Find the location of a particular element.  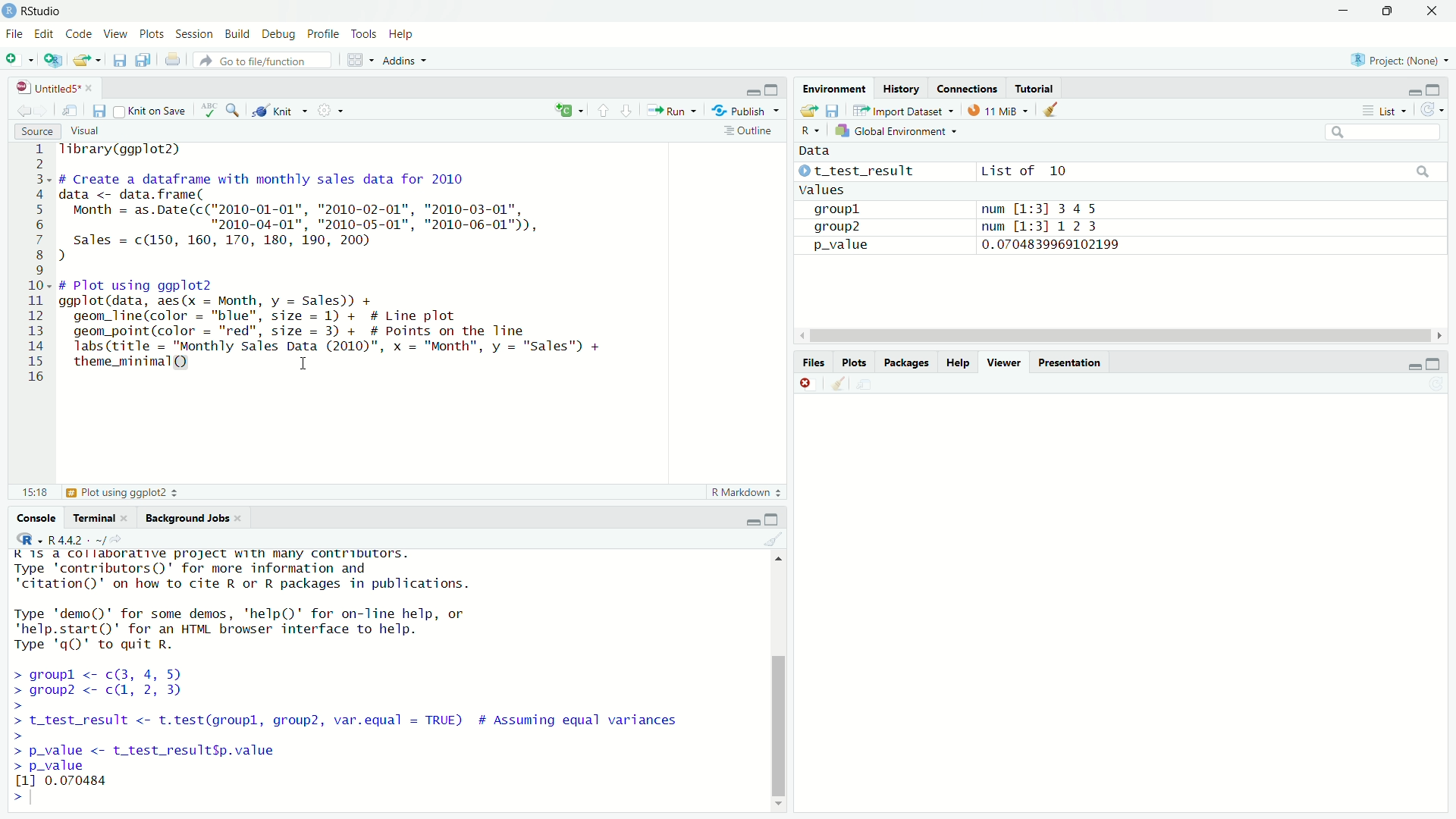

Viewer is located at coordinates (1001, 361).